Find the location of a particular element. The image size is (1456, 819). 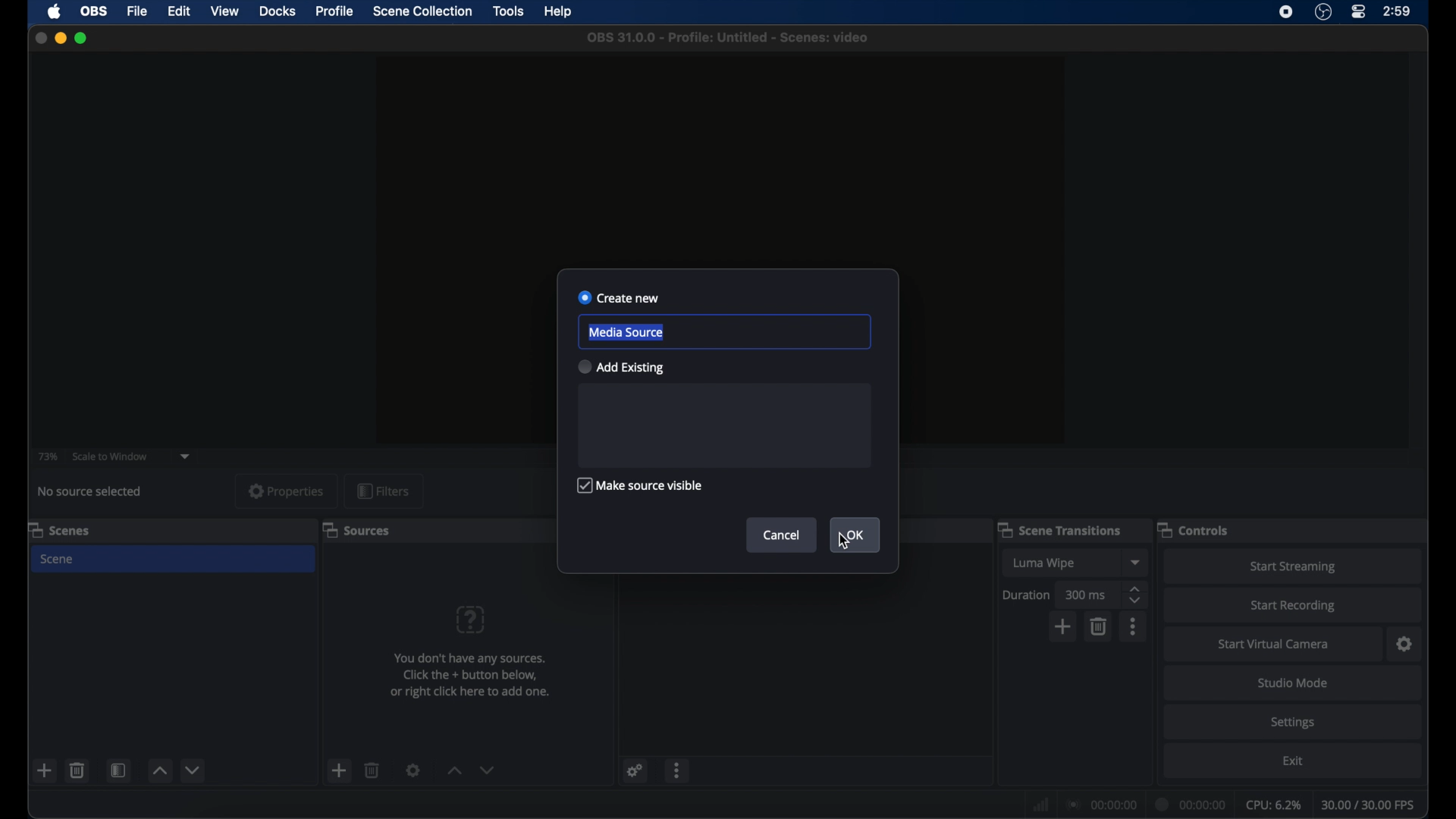

view is located at coordinates (224, 10).